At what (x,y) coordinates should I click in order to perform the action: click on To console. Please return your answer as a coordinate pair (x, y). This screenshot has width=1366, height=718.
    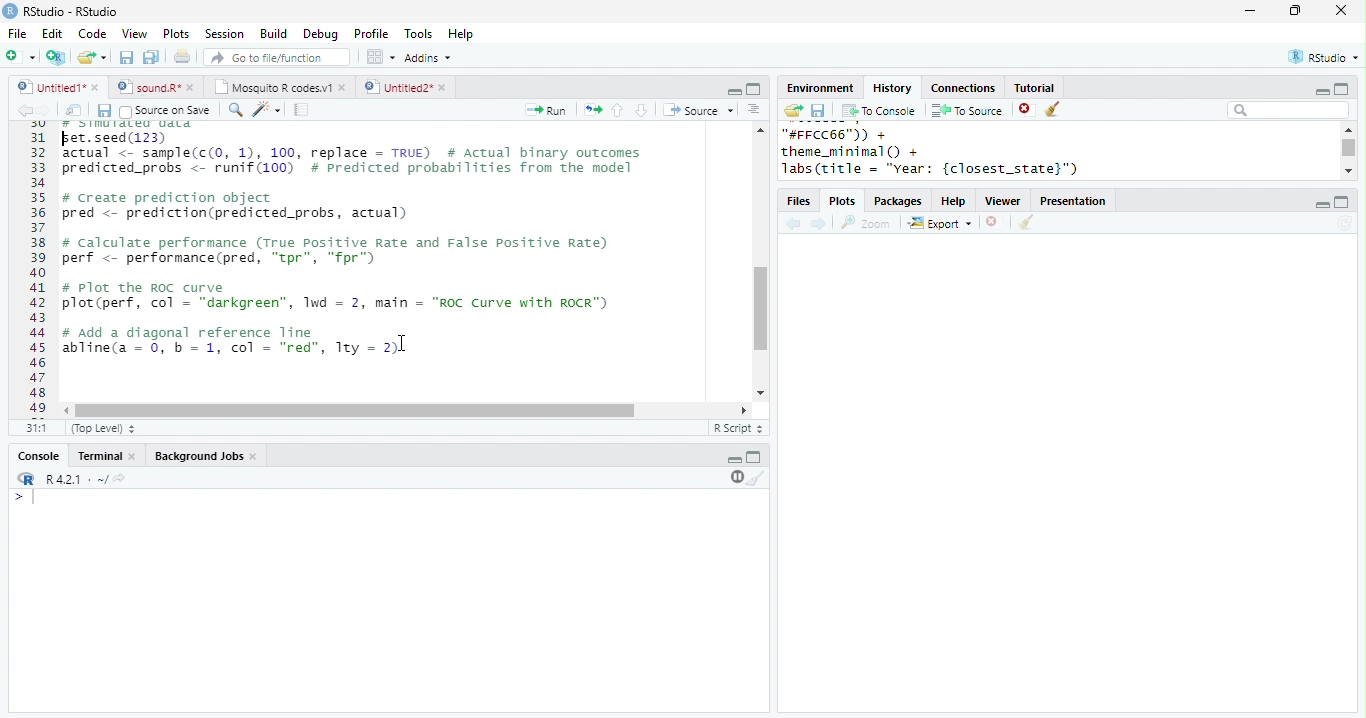
    Looking at the image, I should click on (879, 111).